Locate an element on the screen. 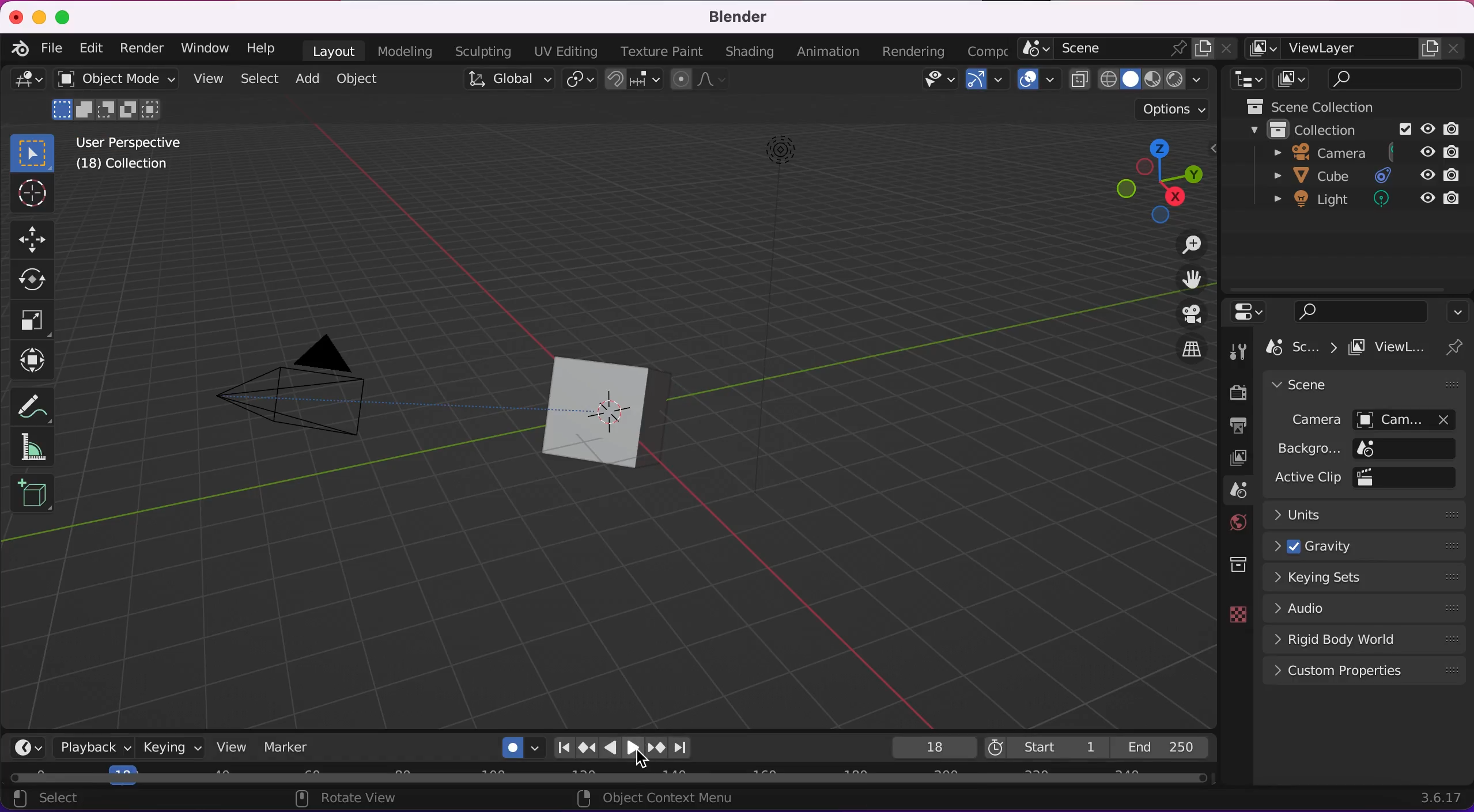  edit is located at coordinates (90, 48).